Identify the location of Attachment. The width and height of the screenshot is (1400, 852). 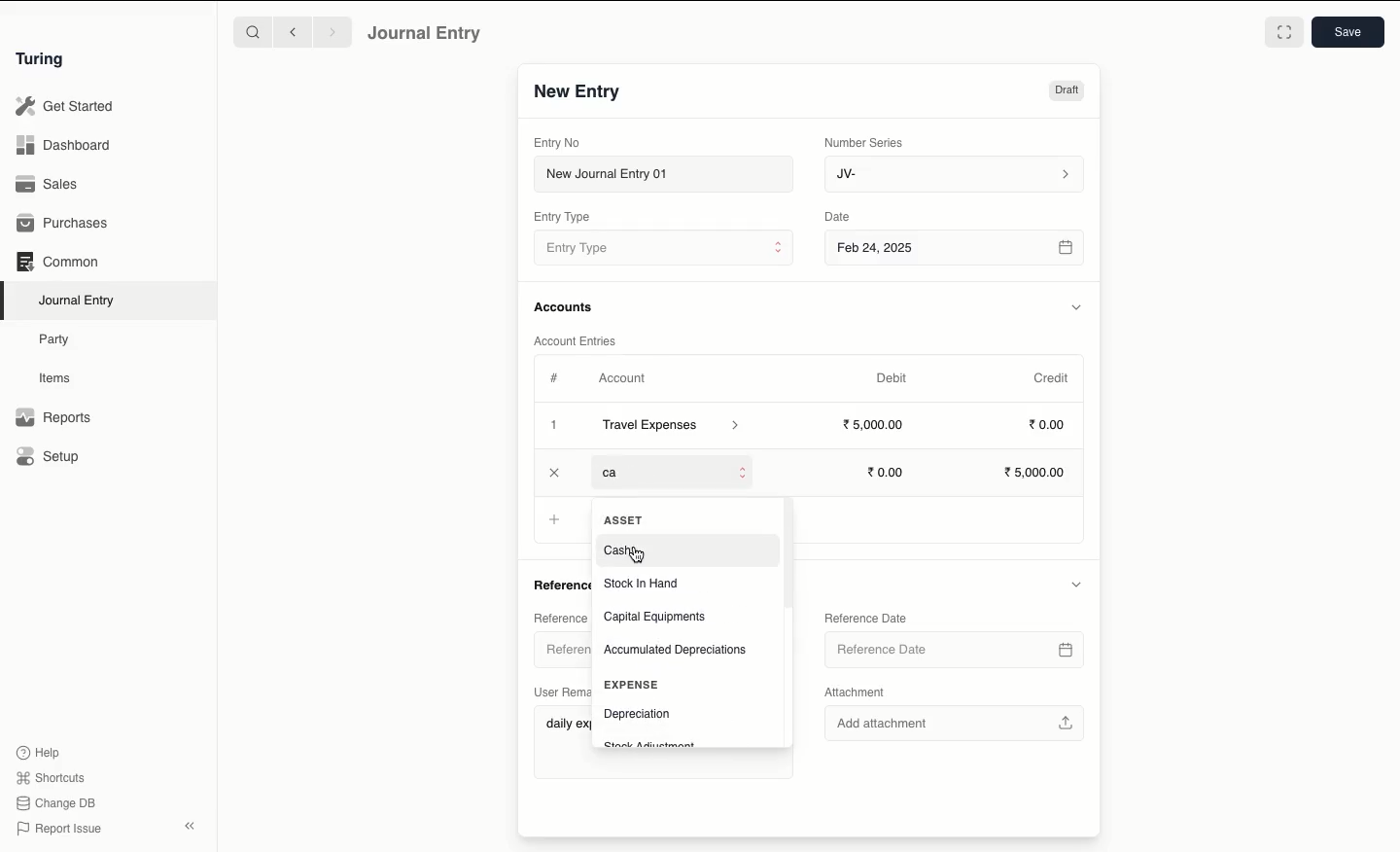
(864, 692).